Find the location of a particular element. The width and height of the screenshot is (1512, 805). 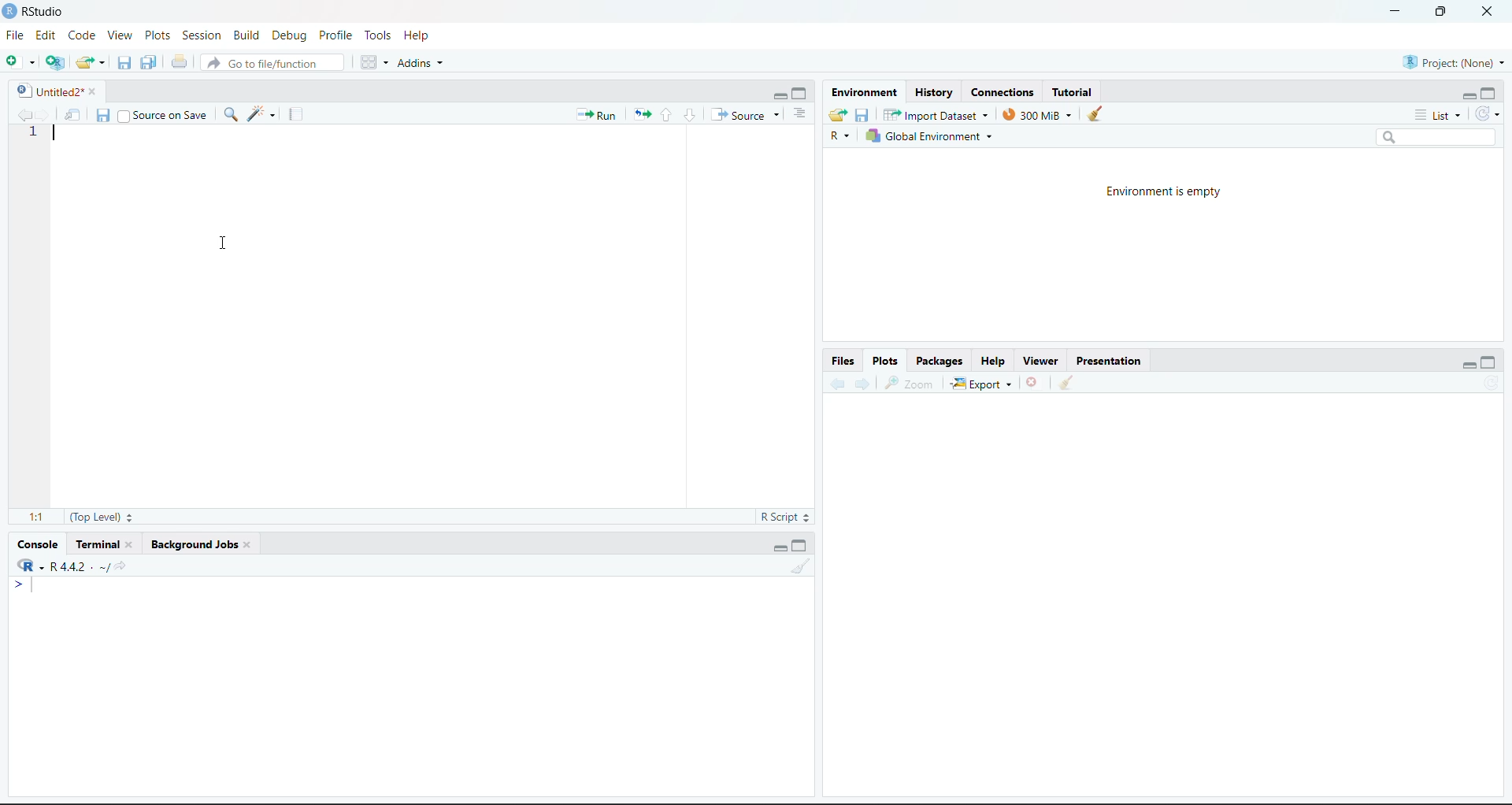

Console is located at coordinates (37, 545).